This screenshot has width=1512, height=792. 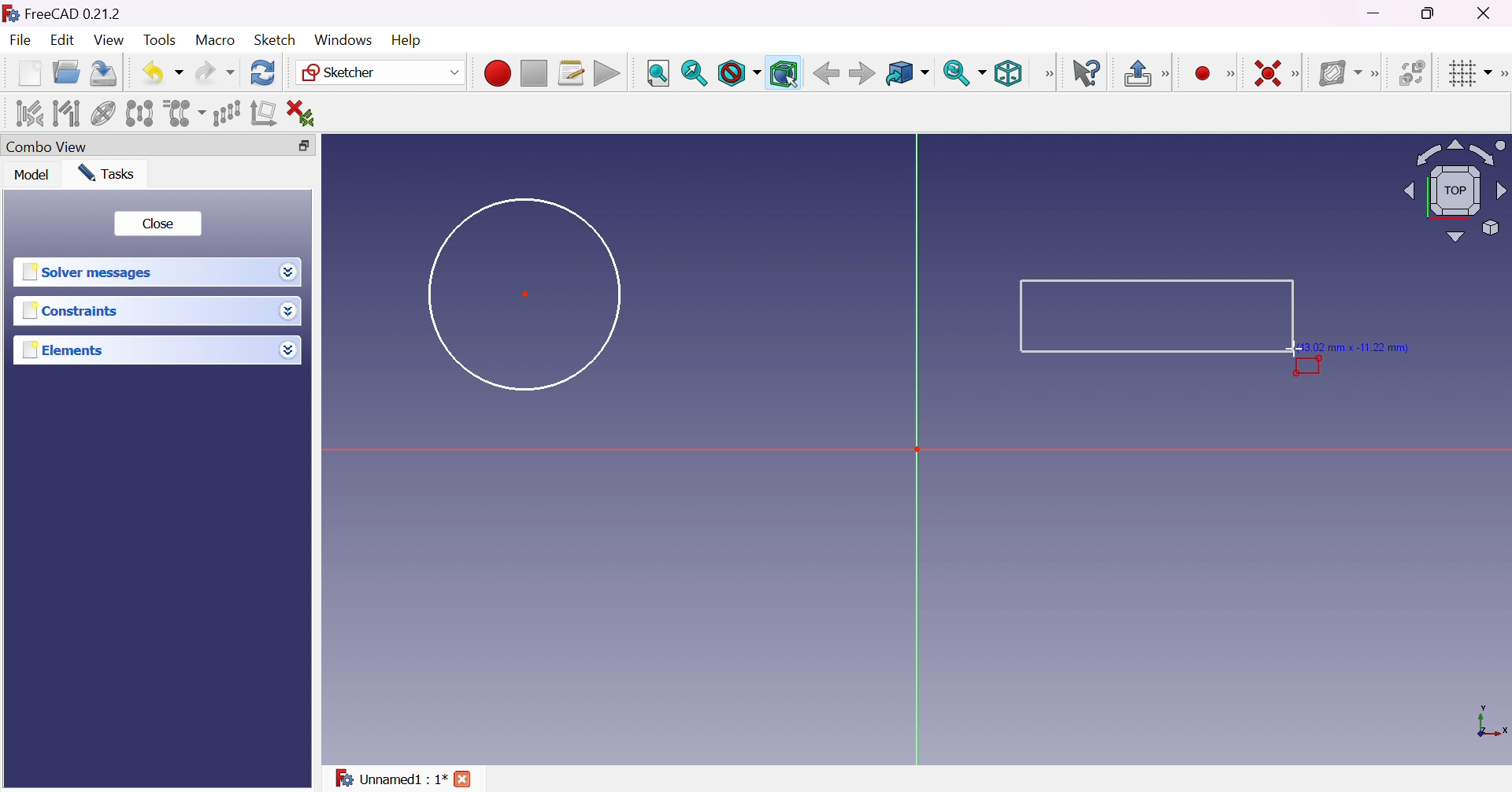 I want to click on View, so click(x=110, y=41).